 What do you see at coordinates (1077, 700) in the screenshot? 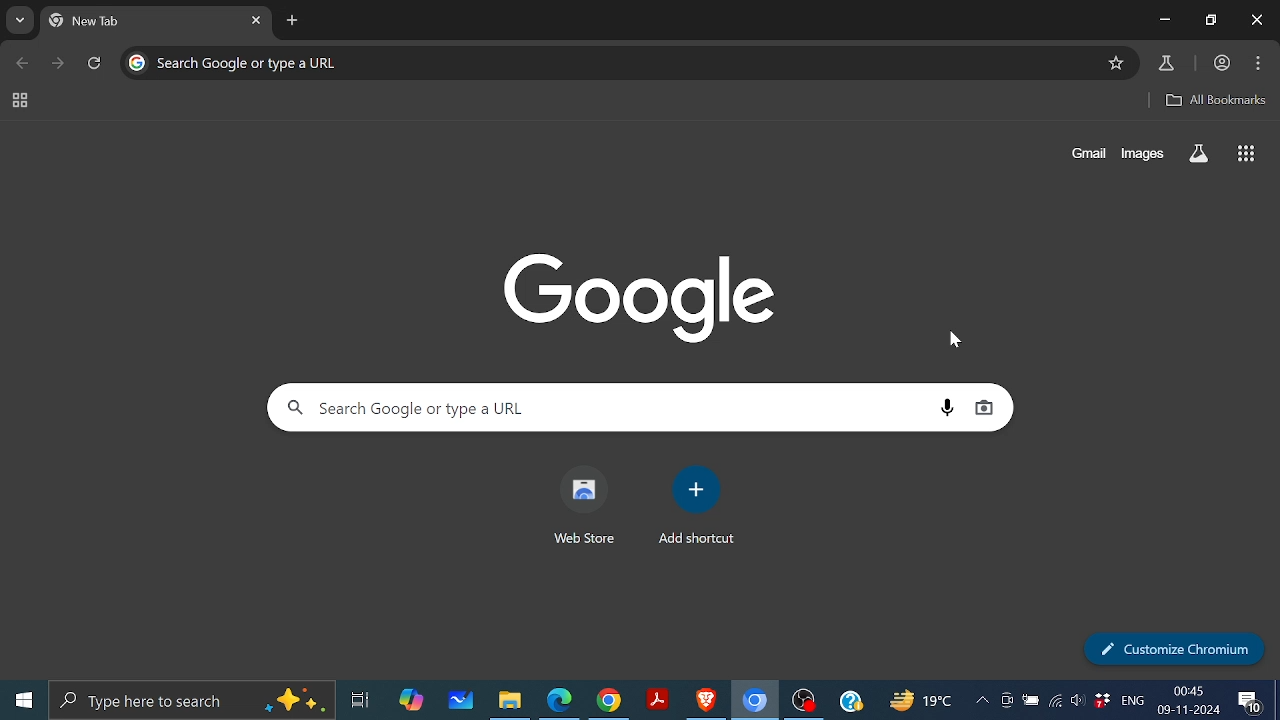
I see `Speaker/Headphones` at bounding box center [1077, 700].